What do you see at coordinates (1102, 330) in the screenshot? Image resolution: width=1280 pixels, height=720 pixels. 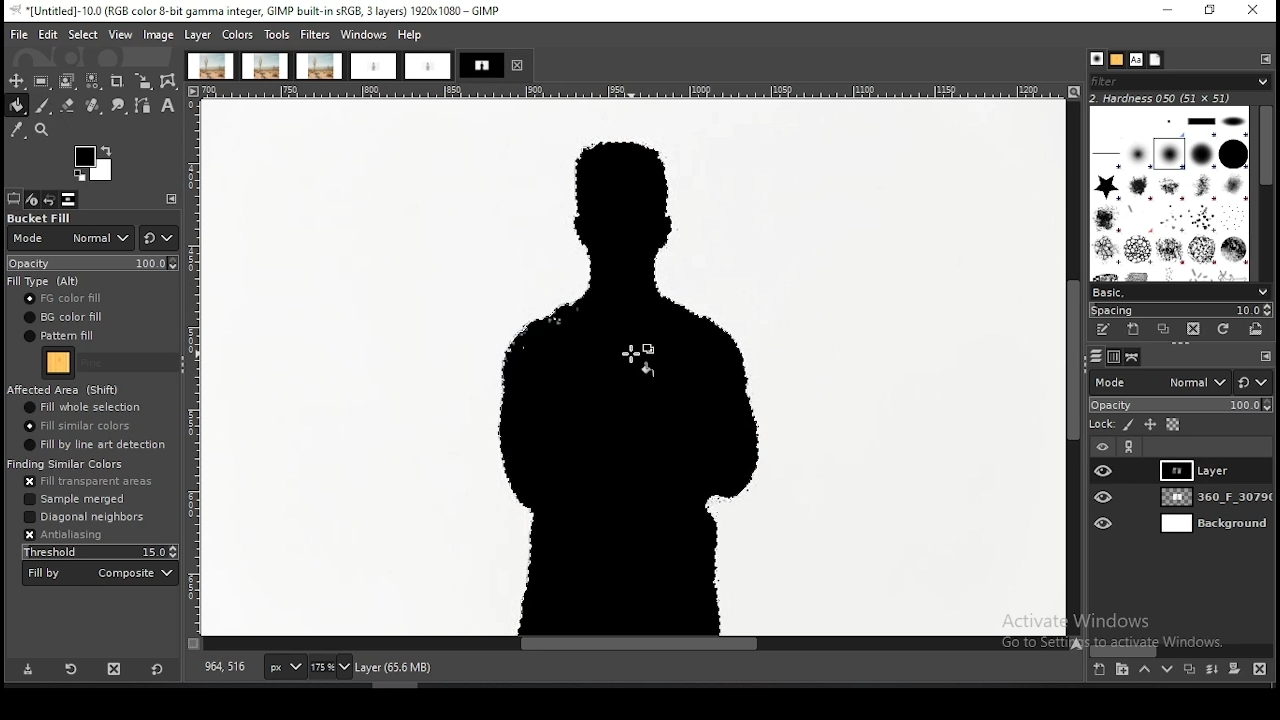 I see `edit this brush` at bounding box center [1102, 330].